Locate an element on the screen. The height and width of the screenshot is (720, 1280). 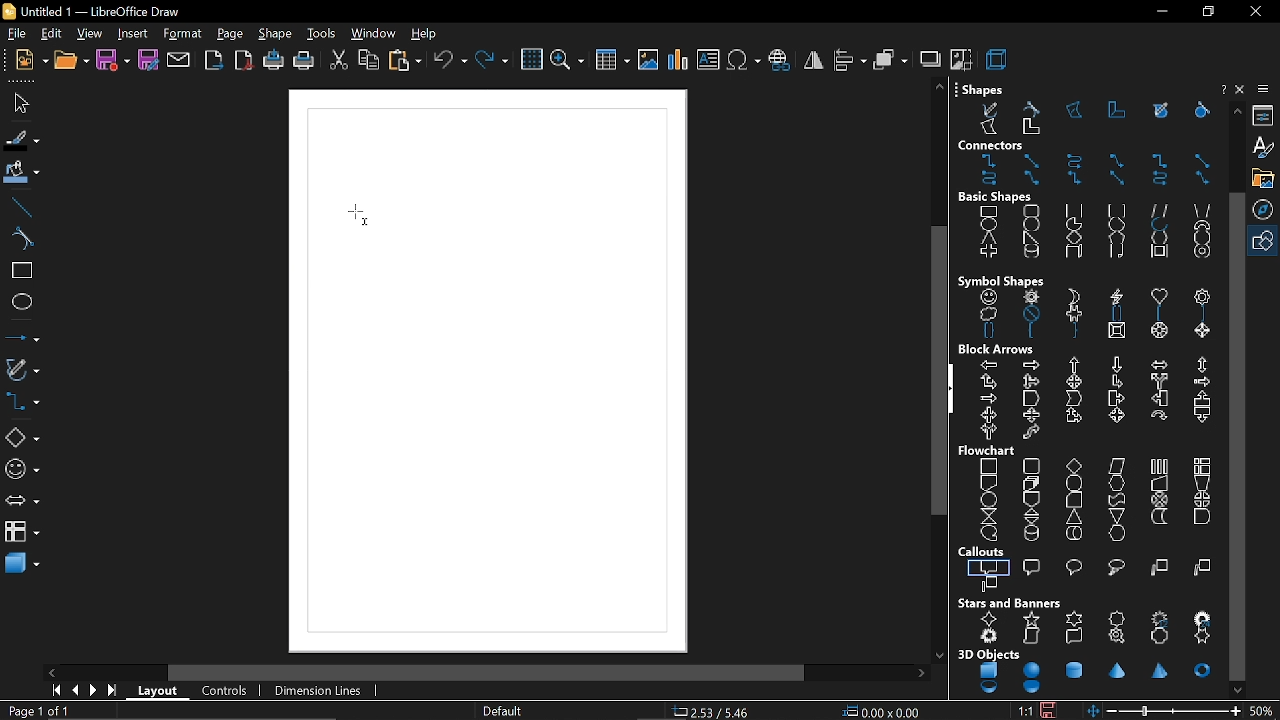
down arrow is located at coordinates (1115, 365).